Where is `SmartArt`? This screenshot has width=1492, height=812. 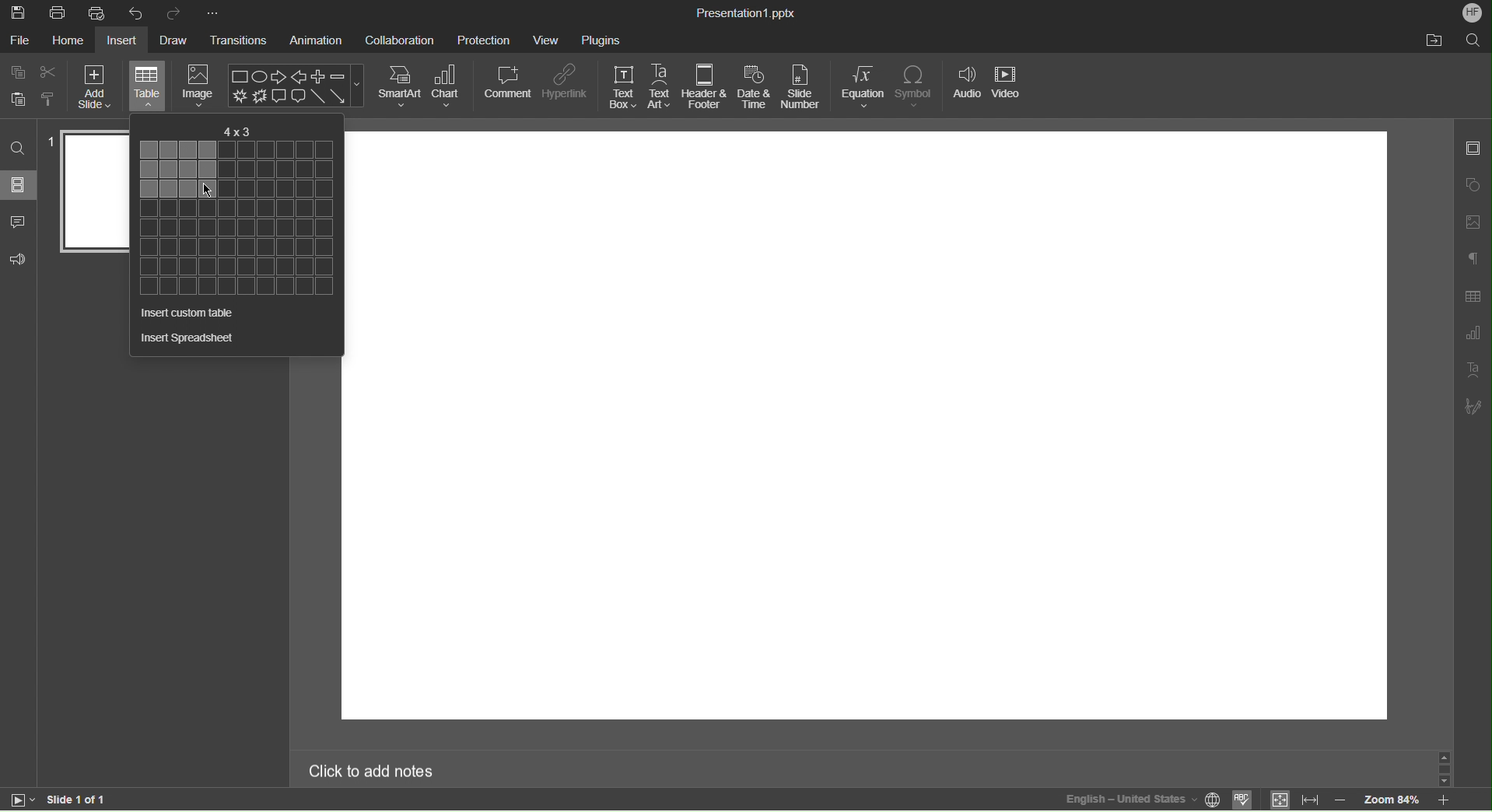 SmartArt is located at coordinates (401, 86).